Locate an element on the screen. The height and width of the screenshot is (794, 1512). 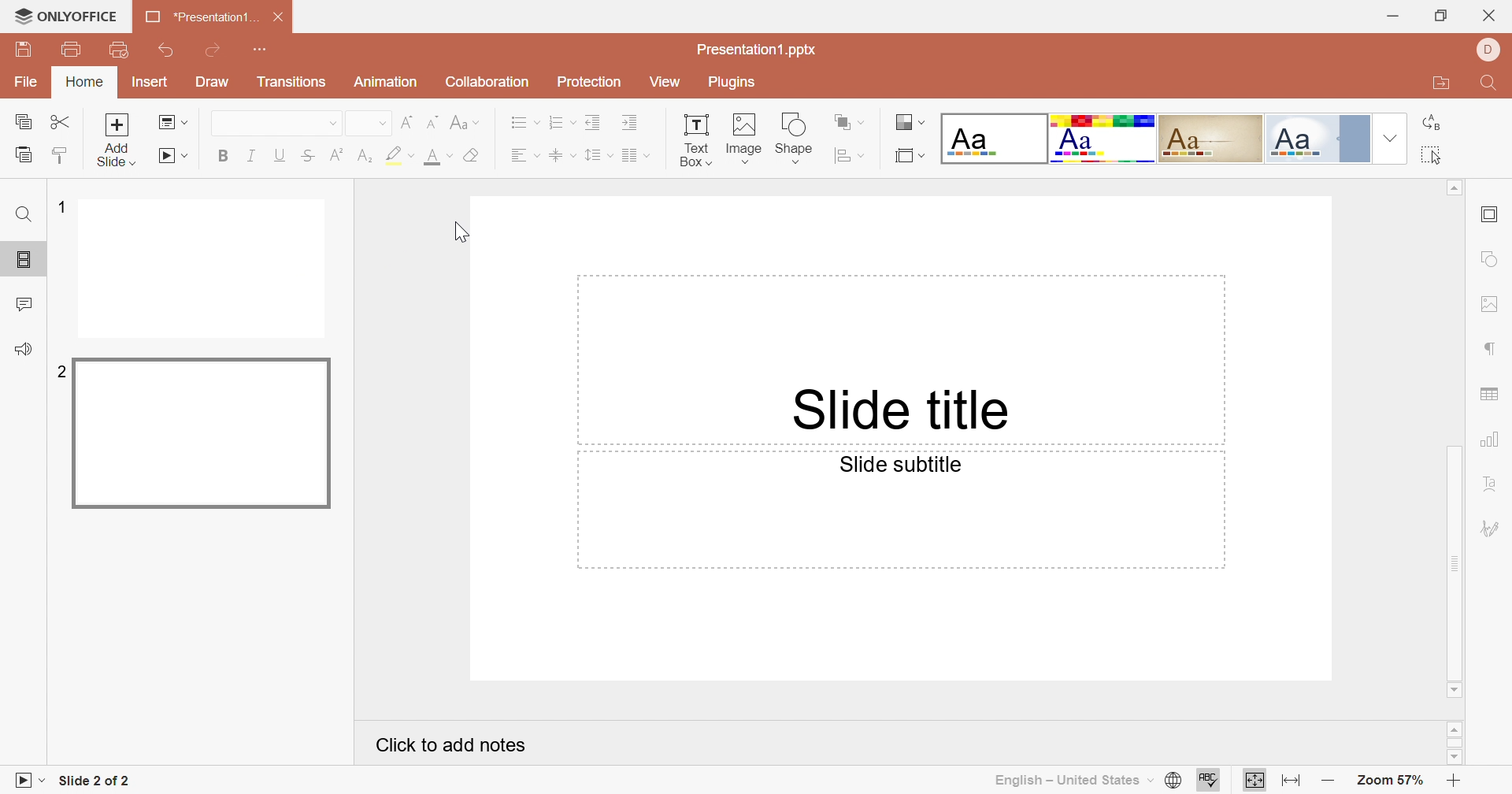
Strikethrough is located at coordinates (306, 154).